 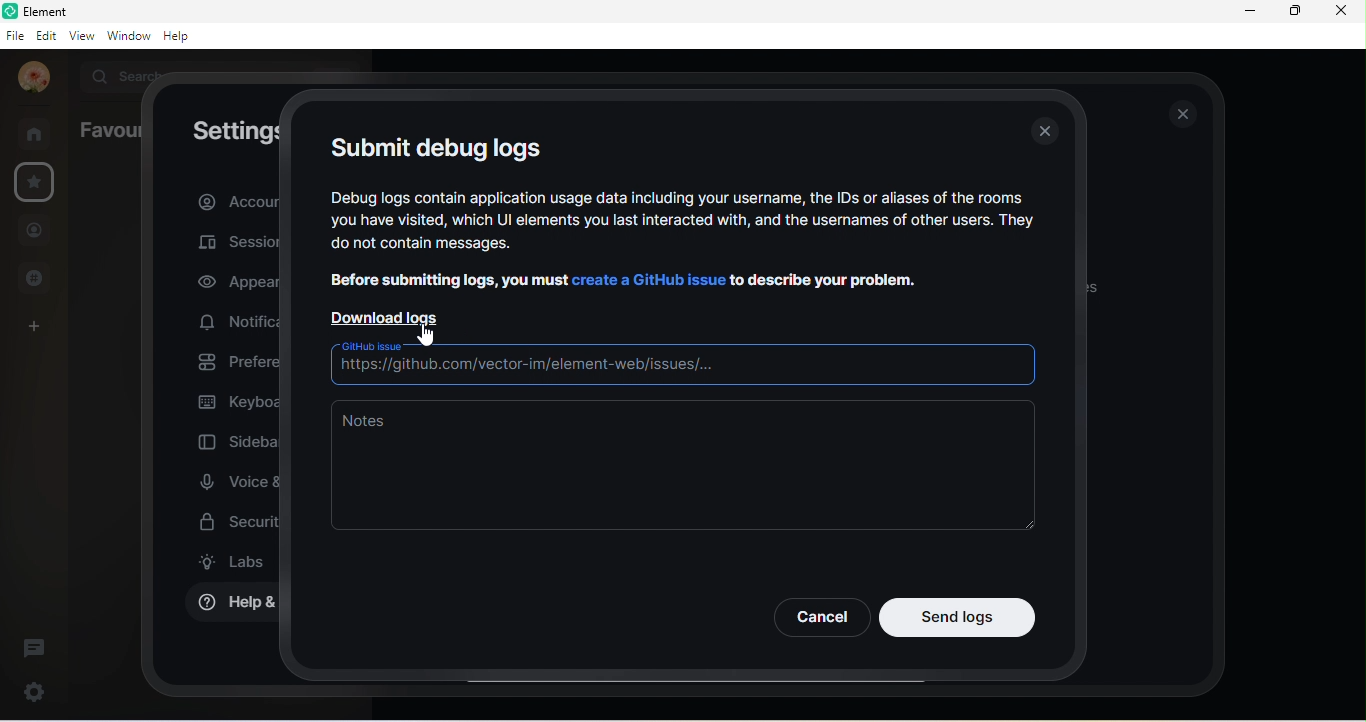 What do you see at coordinates (678, 196) in the screenshot?
I see `debug logs containt application usage data including your username, the IDs or aliases of` at bounding box center [678, 196].